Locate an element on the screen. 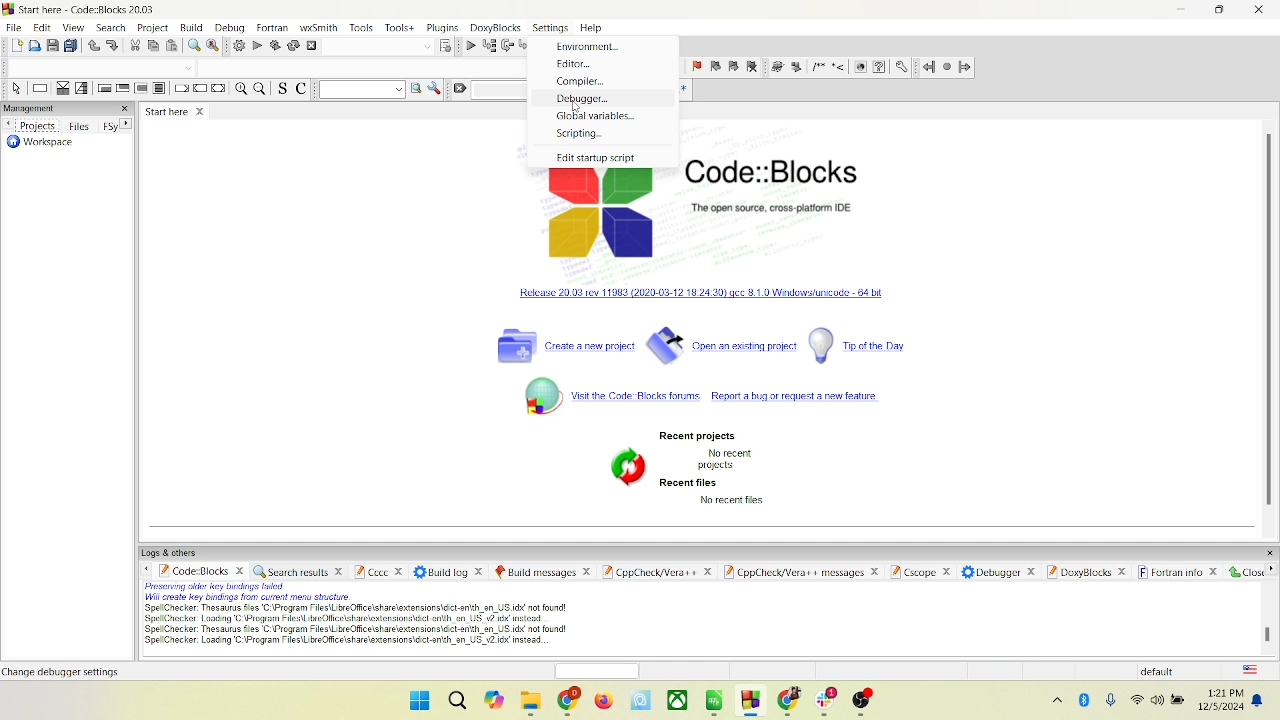  default is located at coordinates (1166, 671).